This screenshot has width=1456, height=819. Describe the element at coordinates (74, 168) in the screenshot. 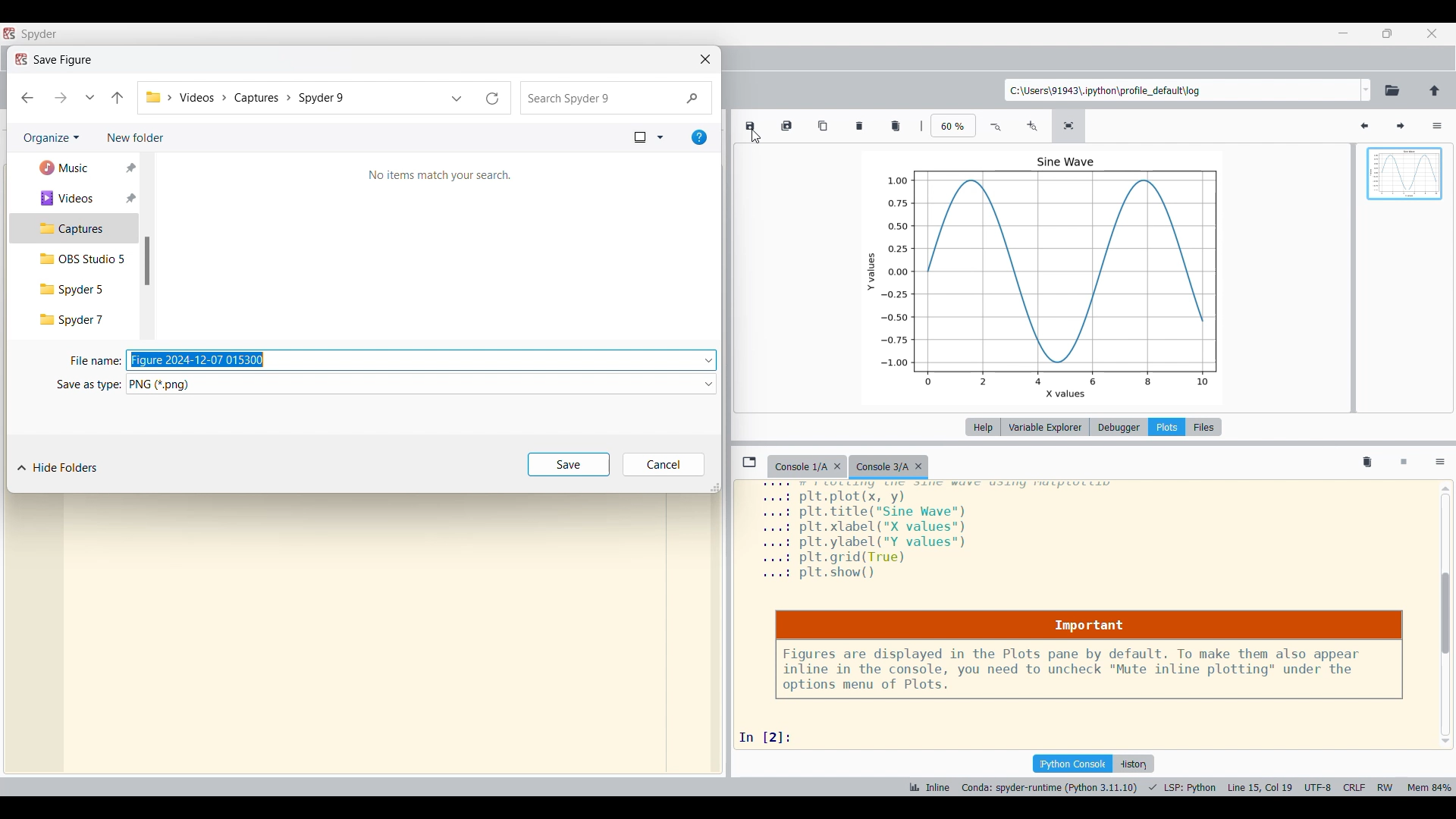

I see `Music` at that location.